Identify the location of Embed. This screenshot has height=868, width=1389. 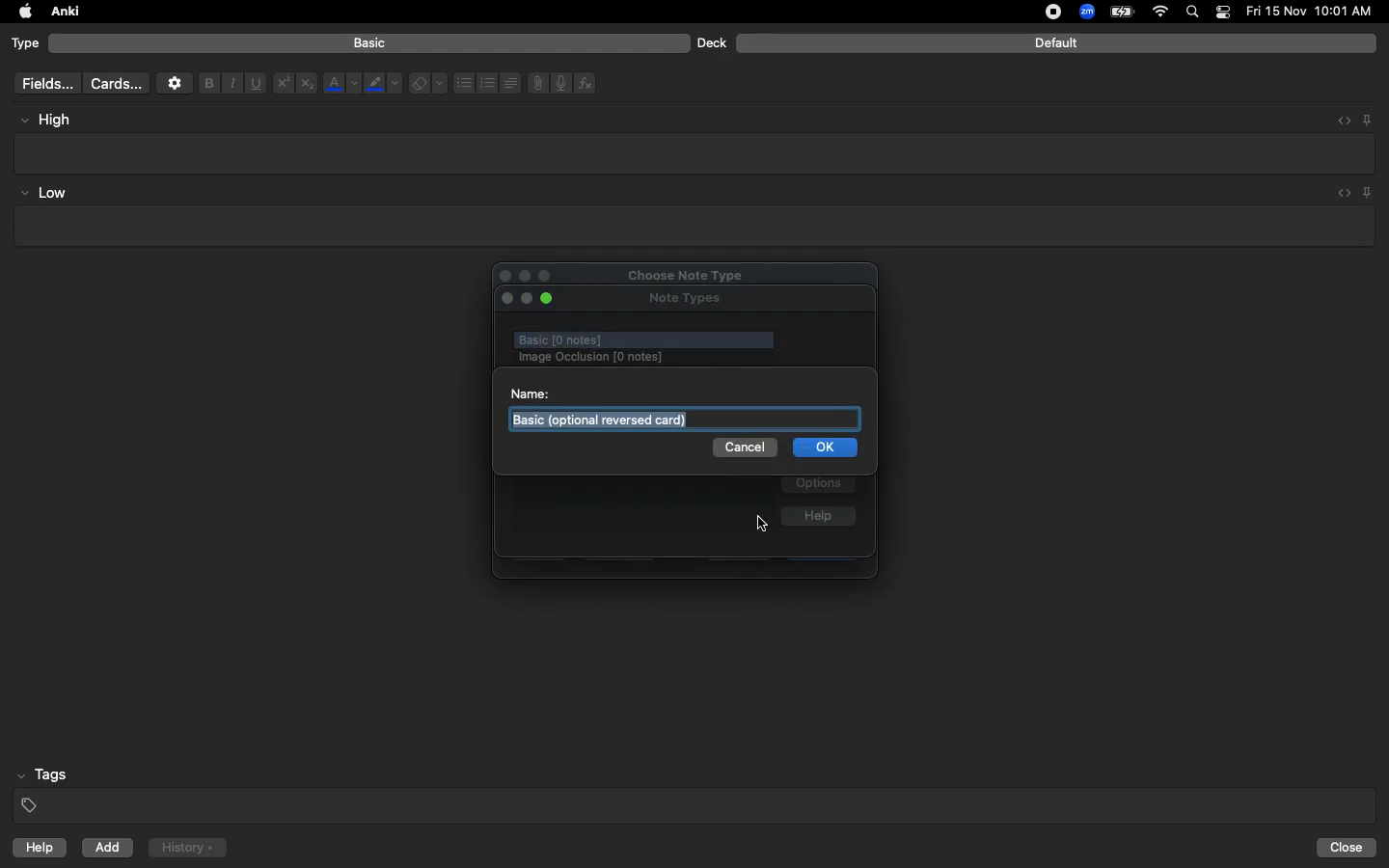
(1338, 121).